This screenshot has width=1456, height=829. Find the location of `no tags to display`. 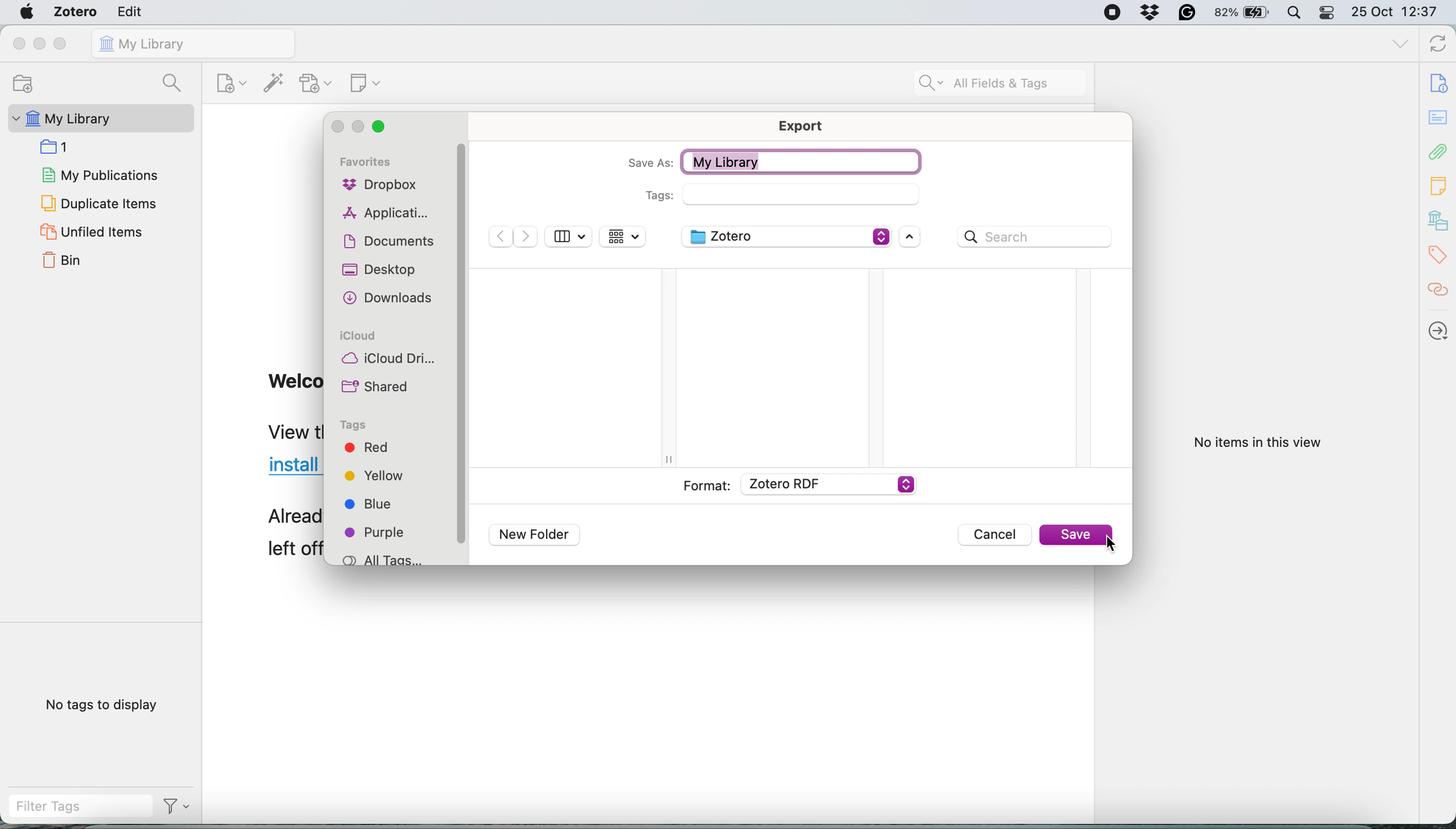

no tags to display is located at coordinates (100, 704).